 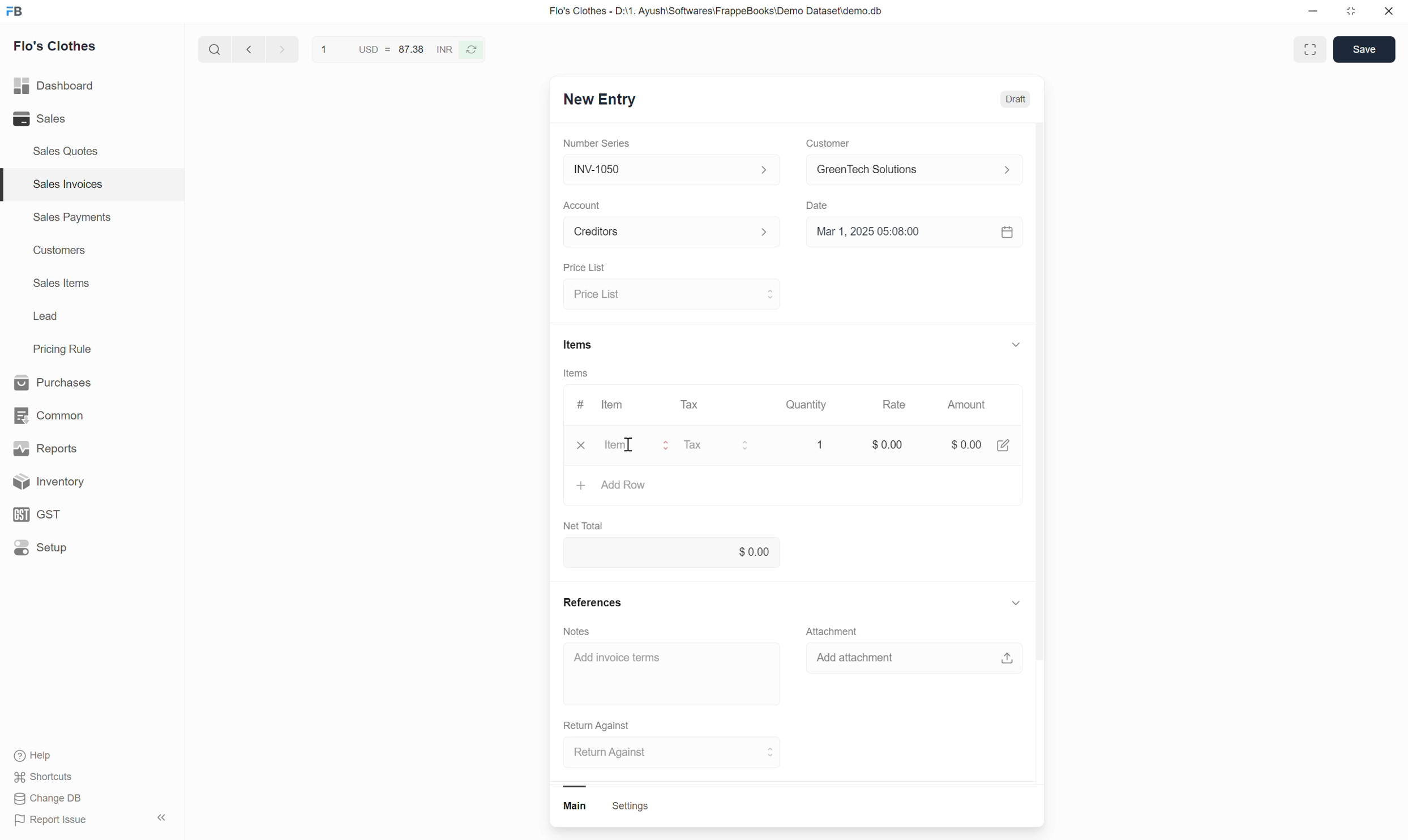 I want to click on minimize , so click(x=1318, y=12).